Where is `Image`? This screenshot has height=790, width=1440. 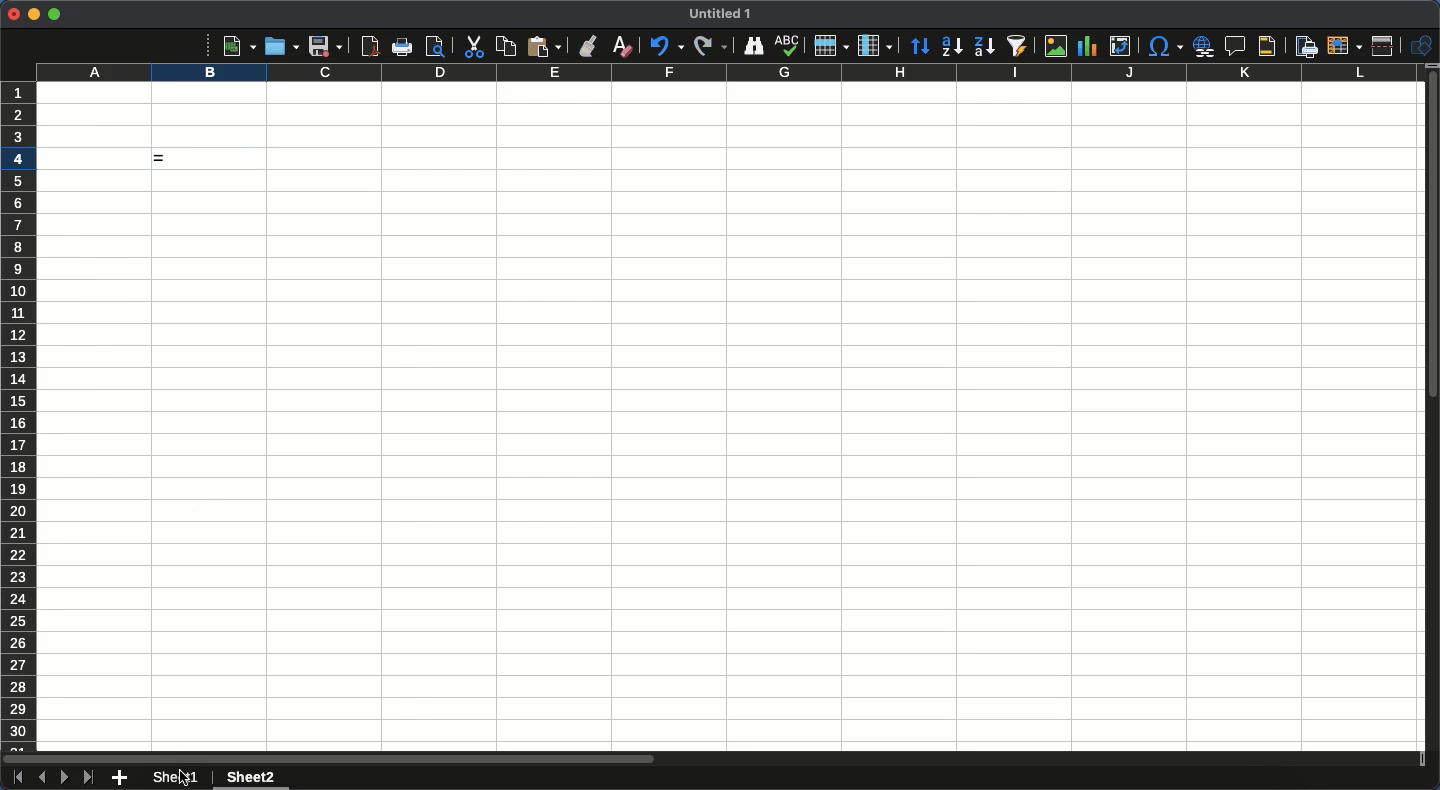 Image is located at coordinates (1051, 46).